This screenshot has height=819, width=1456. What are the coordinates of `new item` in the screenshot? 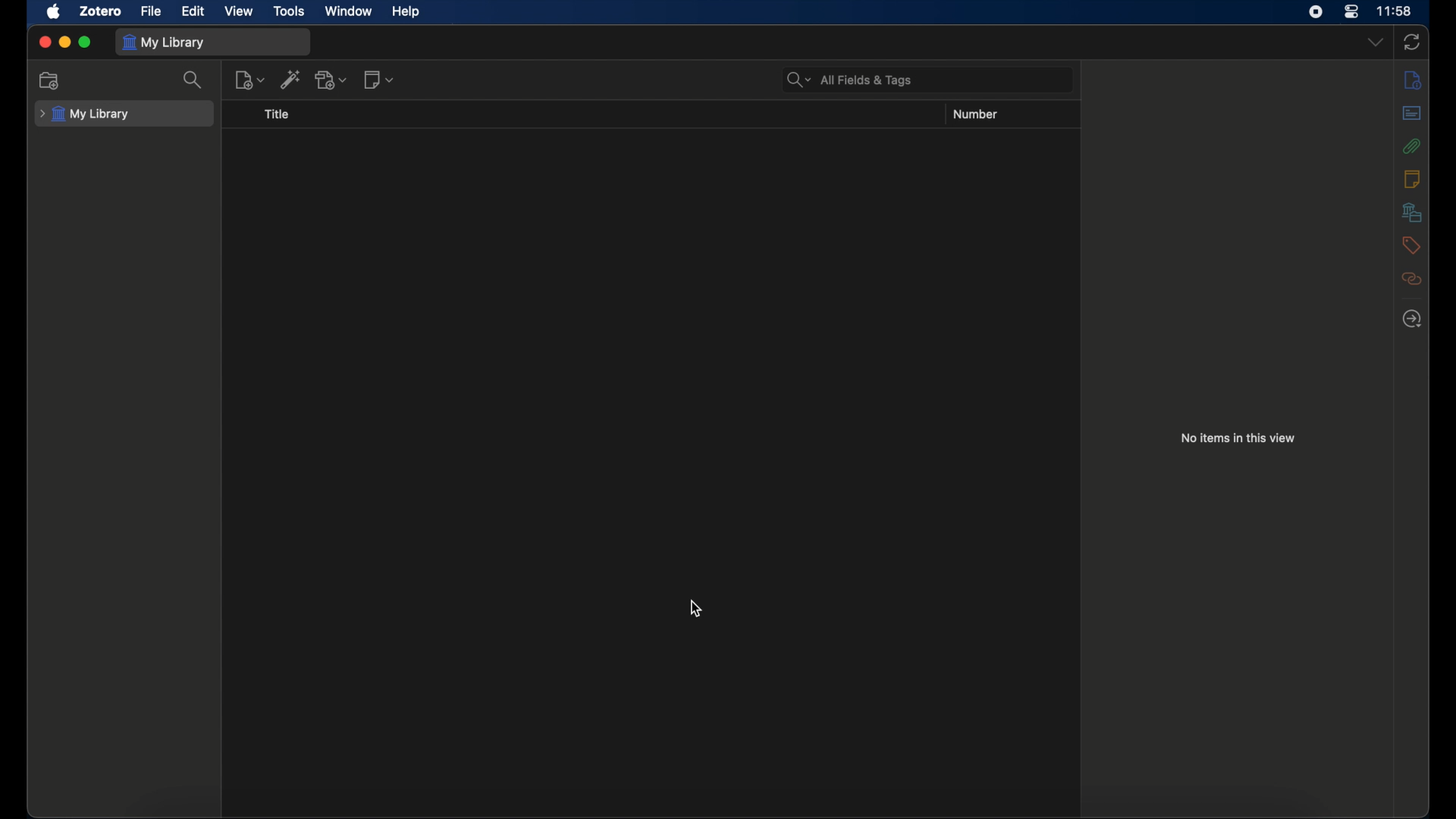 It's located at (250, 80).